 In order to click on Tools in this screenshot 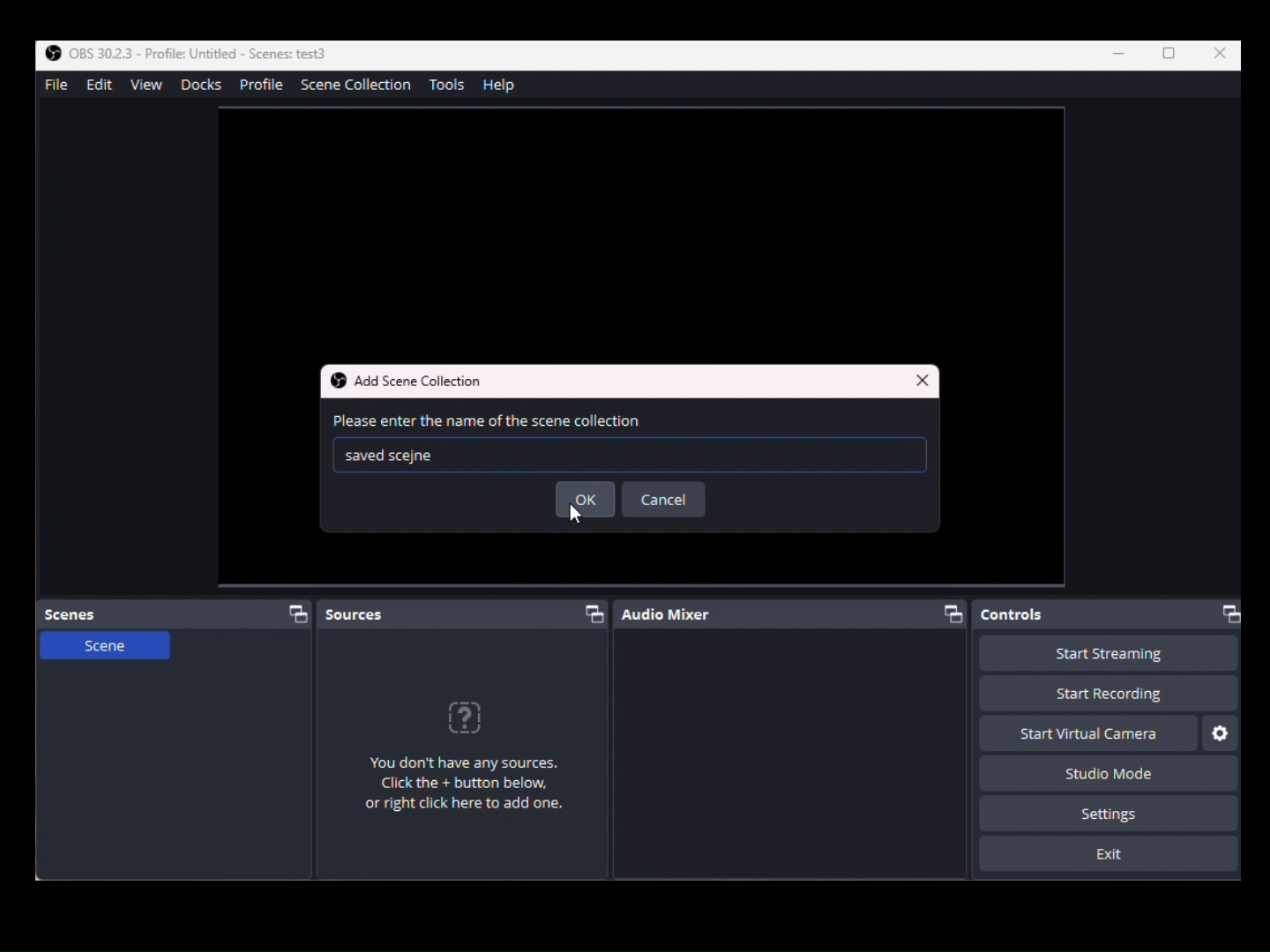, I will do `click(451, 85)`.